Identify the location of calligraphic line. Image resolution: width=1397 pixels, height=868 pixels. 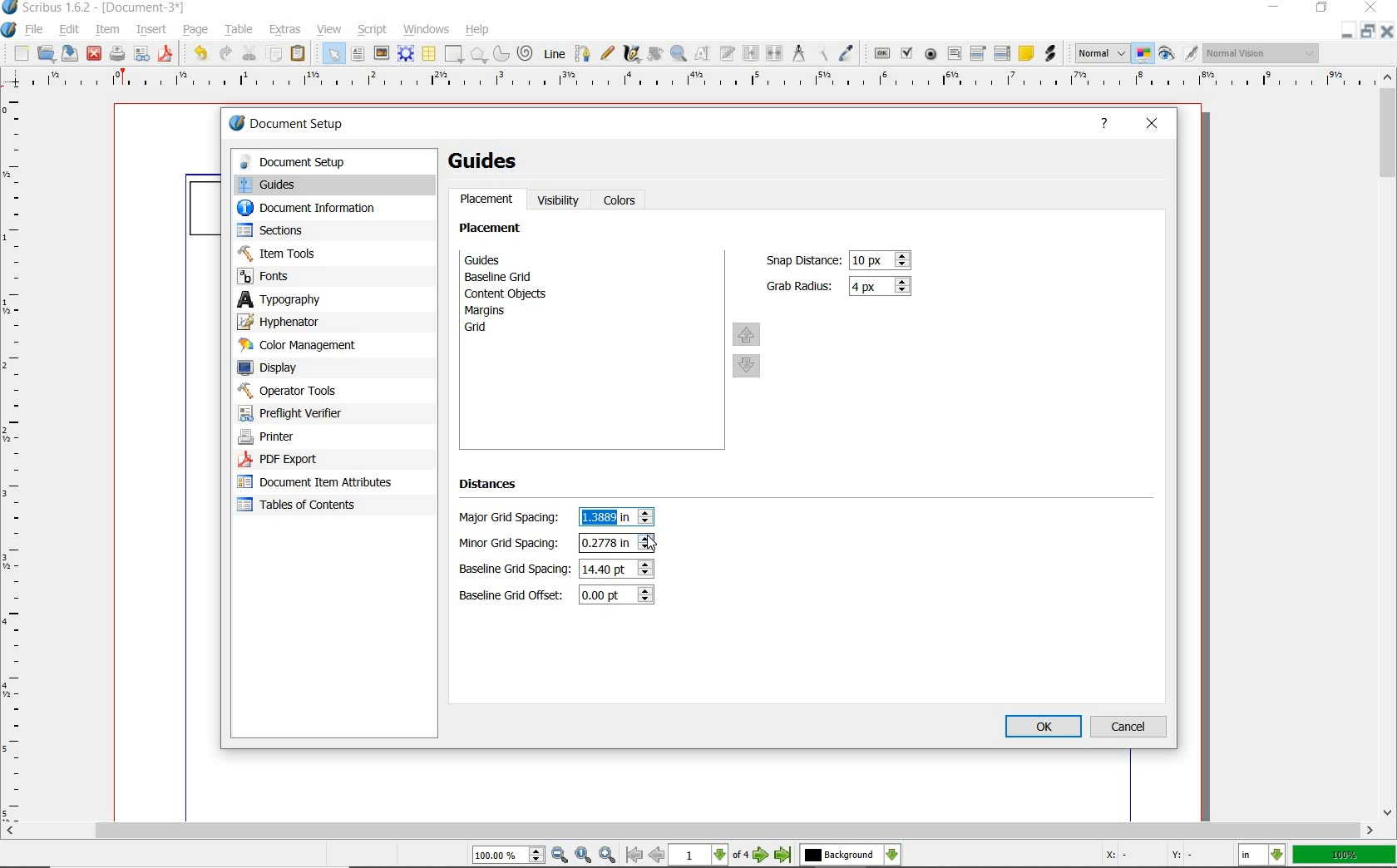
(634, 54).